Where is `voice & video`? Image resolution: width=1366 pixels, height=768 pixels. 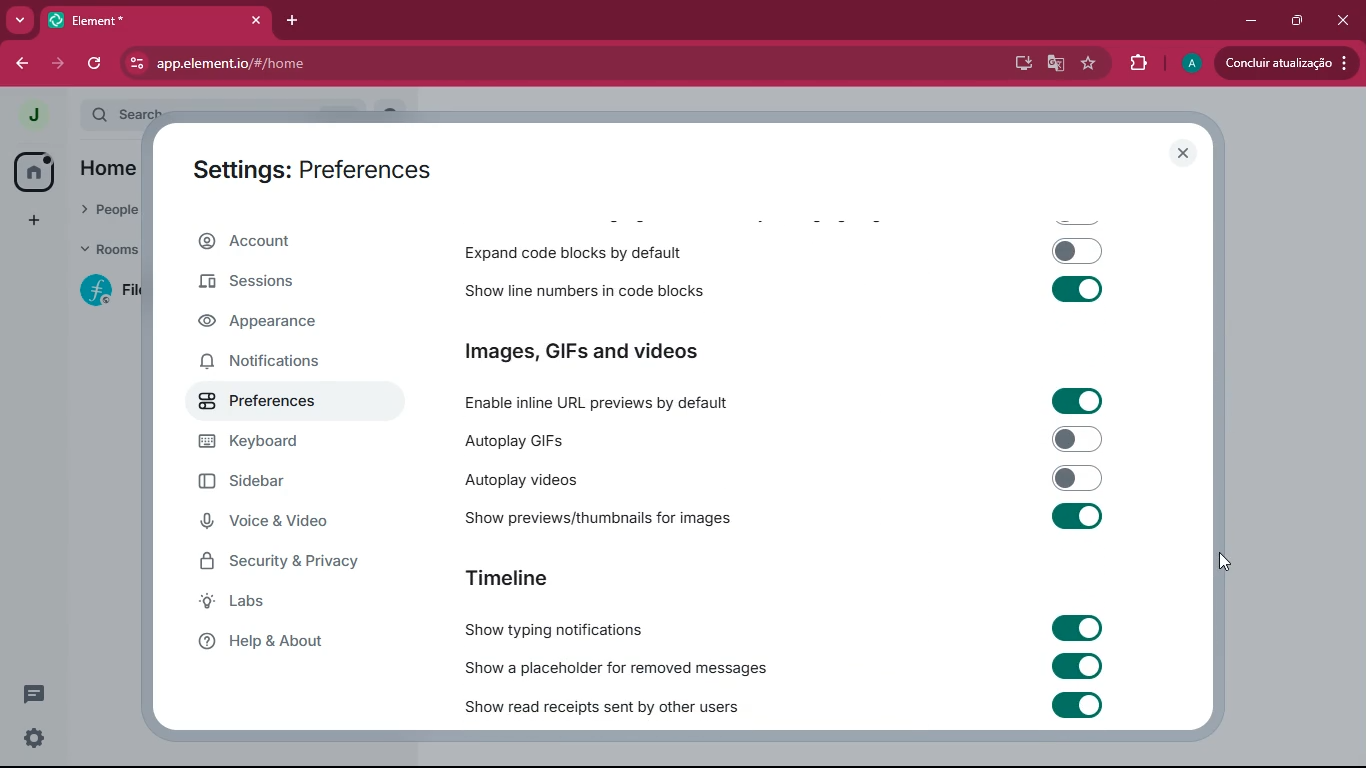 voice & video is located at coordinates (277, 523).